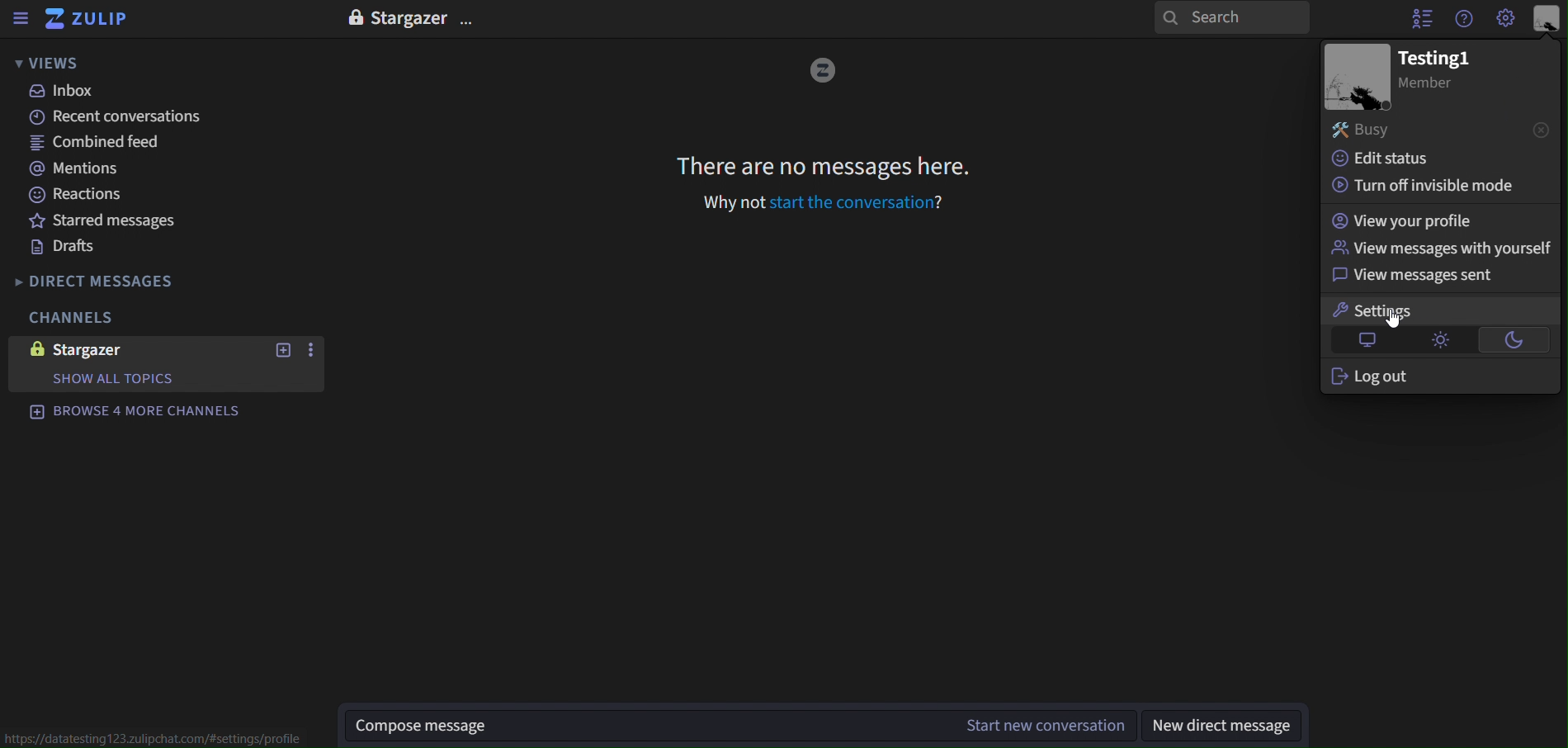 This screenshot has width=1568, height=748. I want to click on combined feed, so click(98, 142).